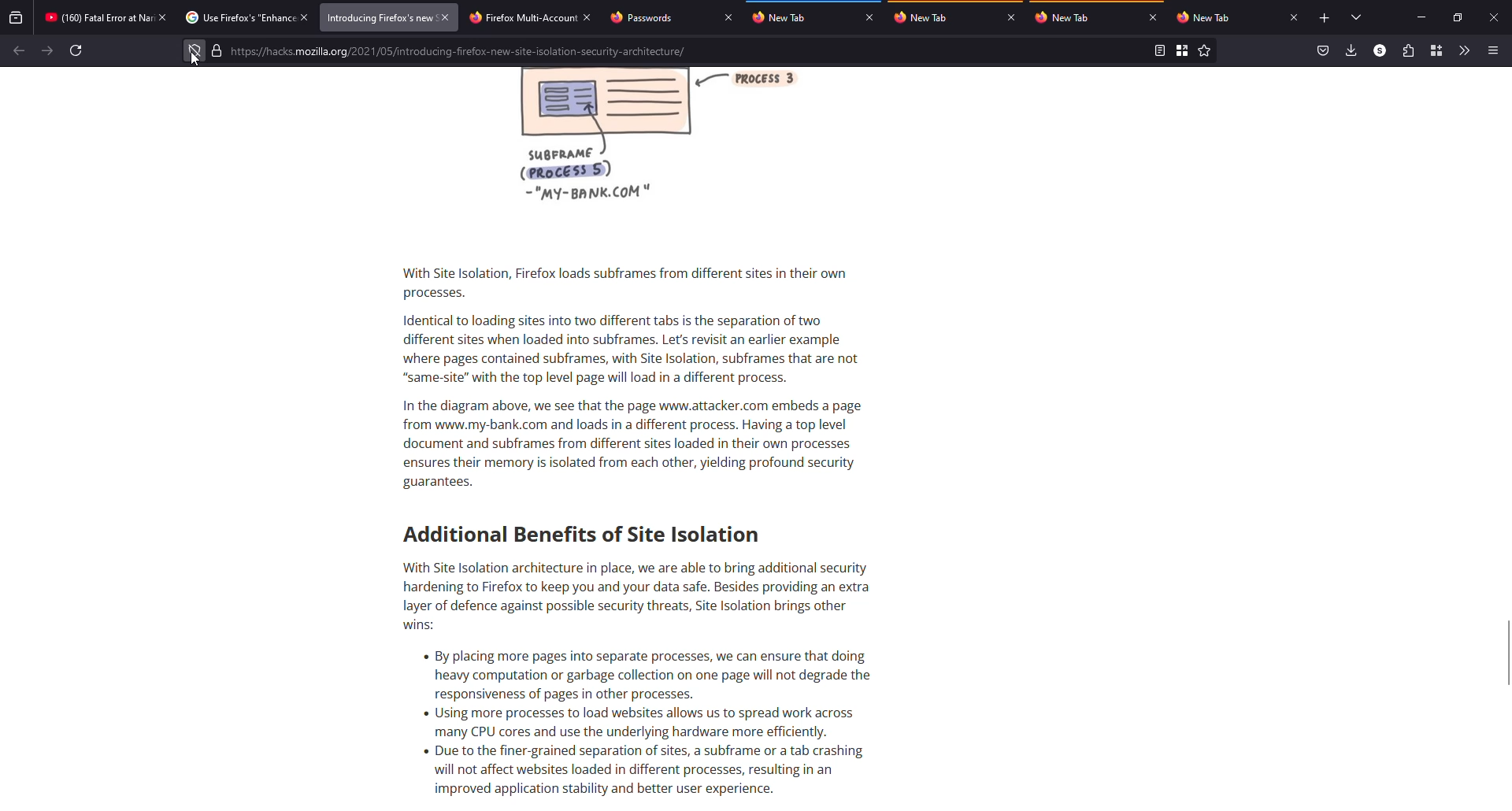 This screenshot has height=811, width=1512. What do you see at coordinates (18, 51) in the screenshot?
I see `back` at bounding box center [18, 51].